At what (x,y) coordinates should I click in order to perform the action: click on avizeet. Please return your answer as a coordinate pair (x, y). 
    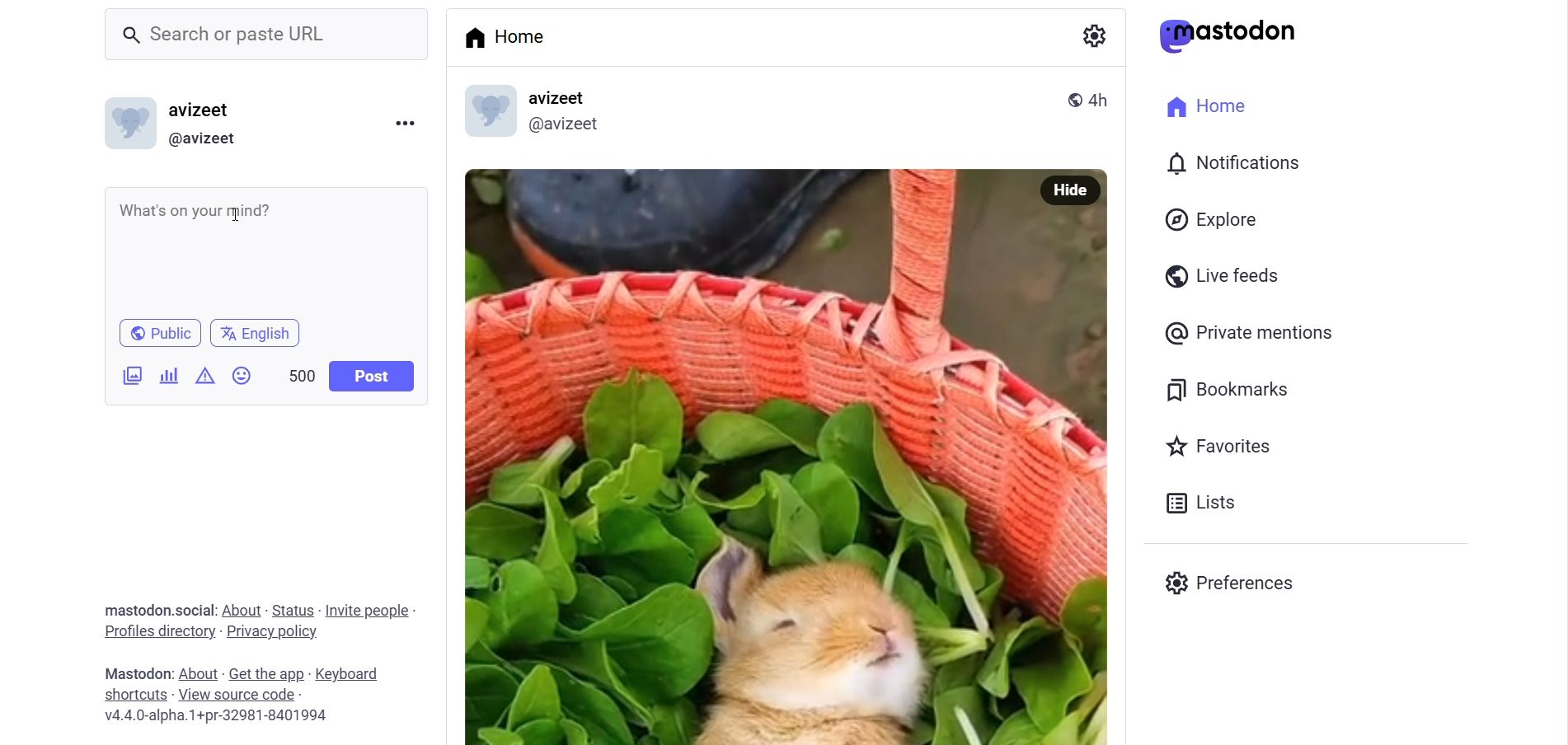
    Looking at the image, I should click on (566, 97).